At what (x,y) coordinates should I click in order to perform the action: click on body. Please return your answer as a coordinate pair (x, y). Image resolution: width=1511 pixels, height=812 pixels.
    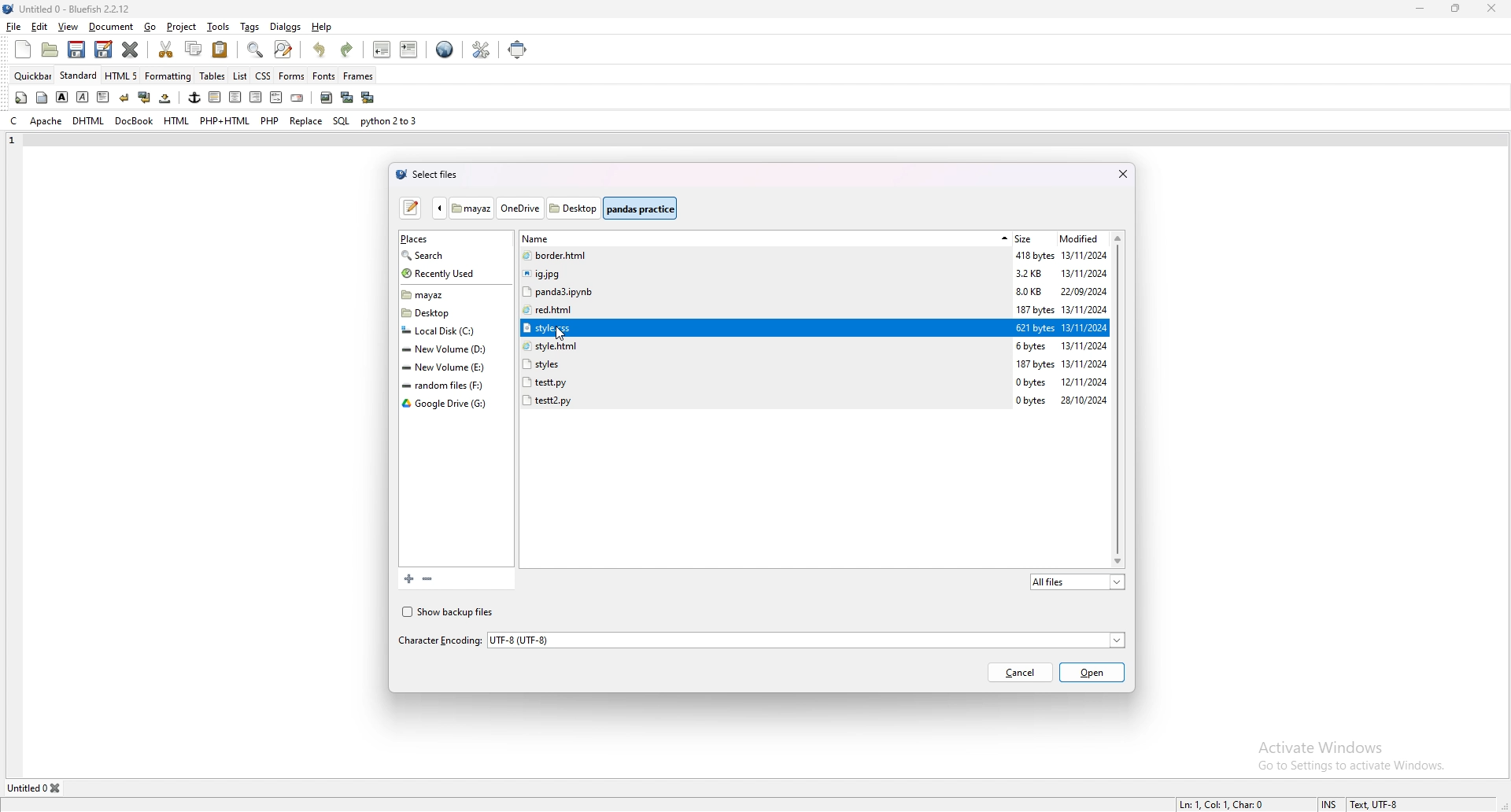
    Looking at the image, I should click on (42, 98).